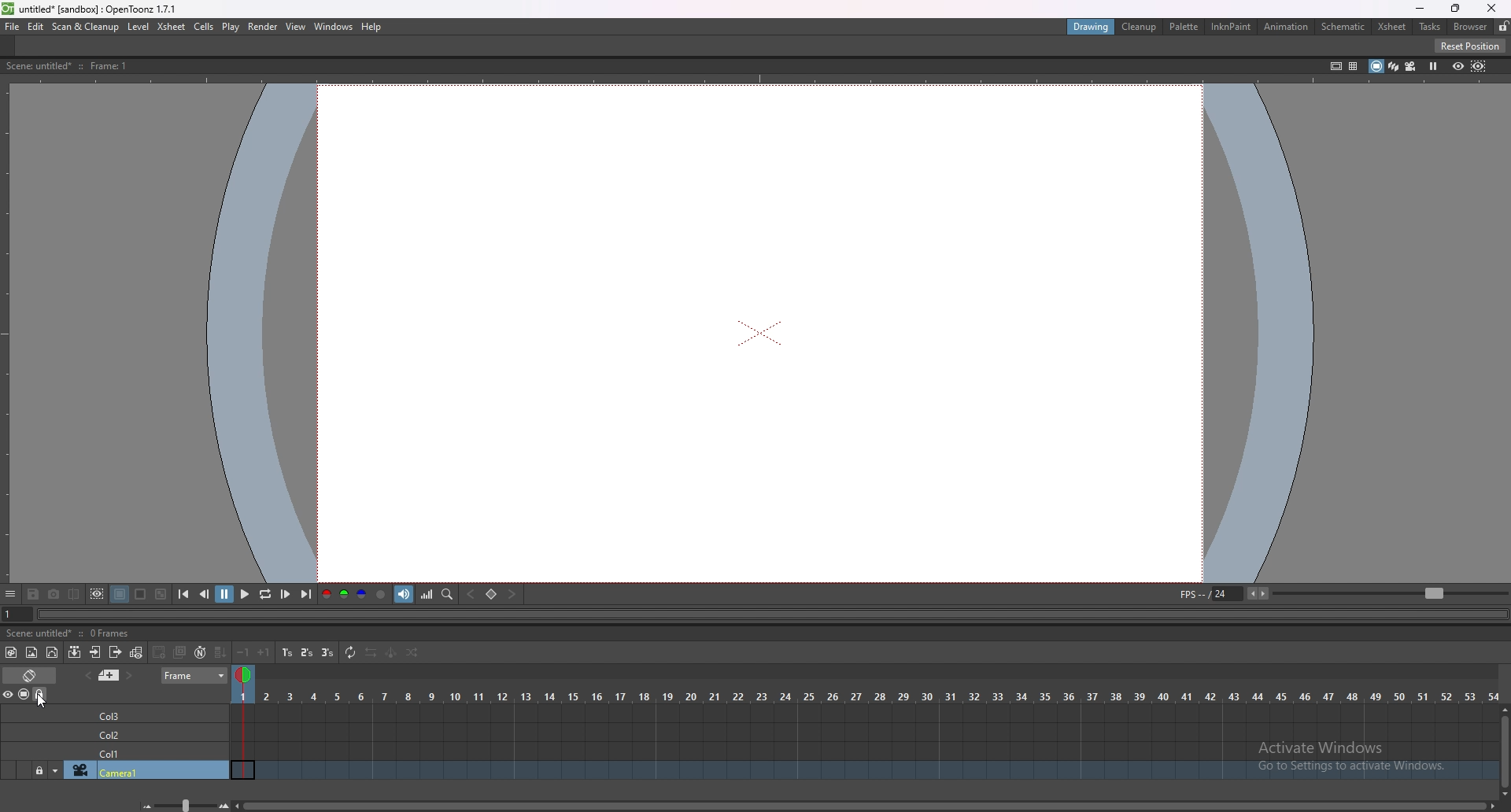 The width and height of the screenshot is (1511, 812). What do you see at coordinates (412, 654) in the screenshot?
I see `random` at bounding box center [412, 654].